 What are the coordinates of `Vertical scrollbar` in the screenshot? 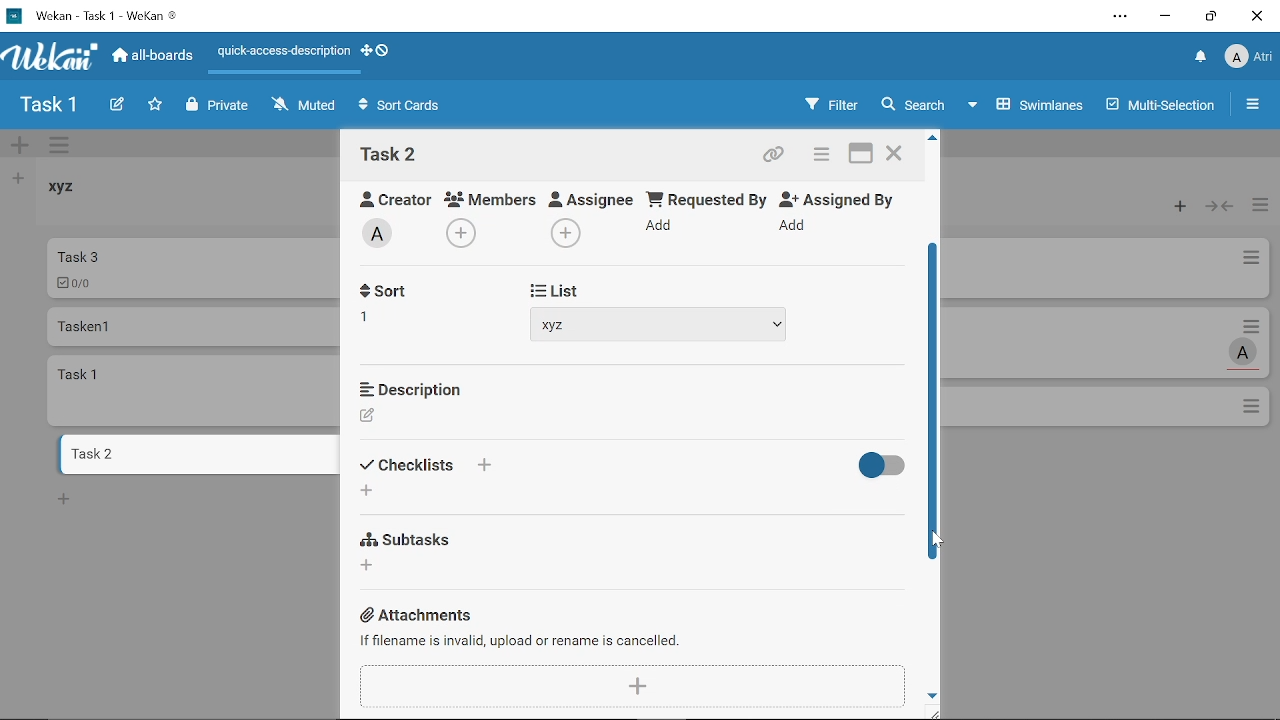 It's located at (935, 399).